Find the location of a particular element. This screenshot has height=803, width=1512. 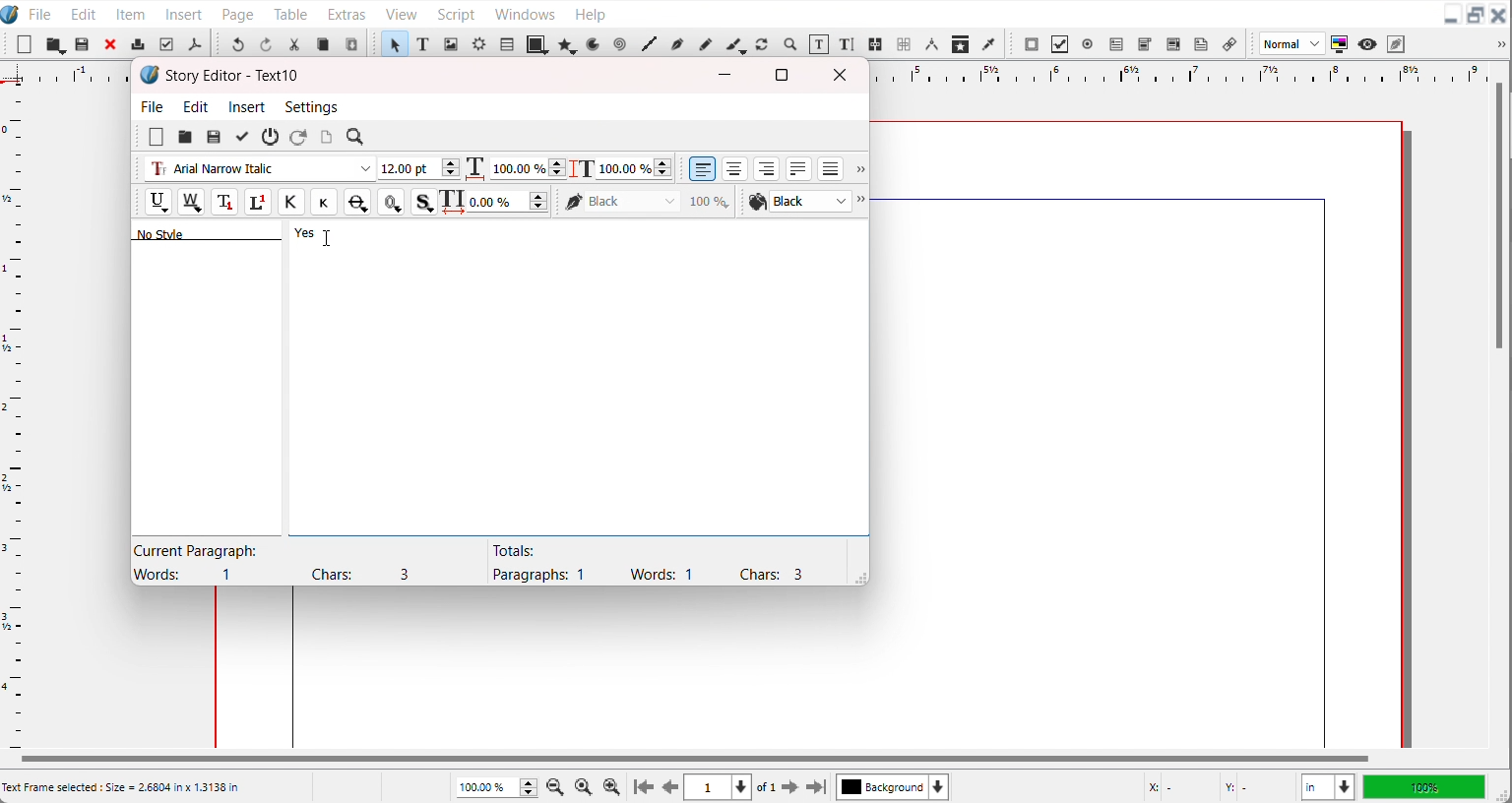

Go to next page is located at coordinates (779, 787).